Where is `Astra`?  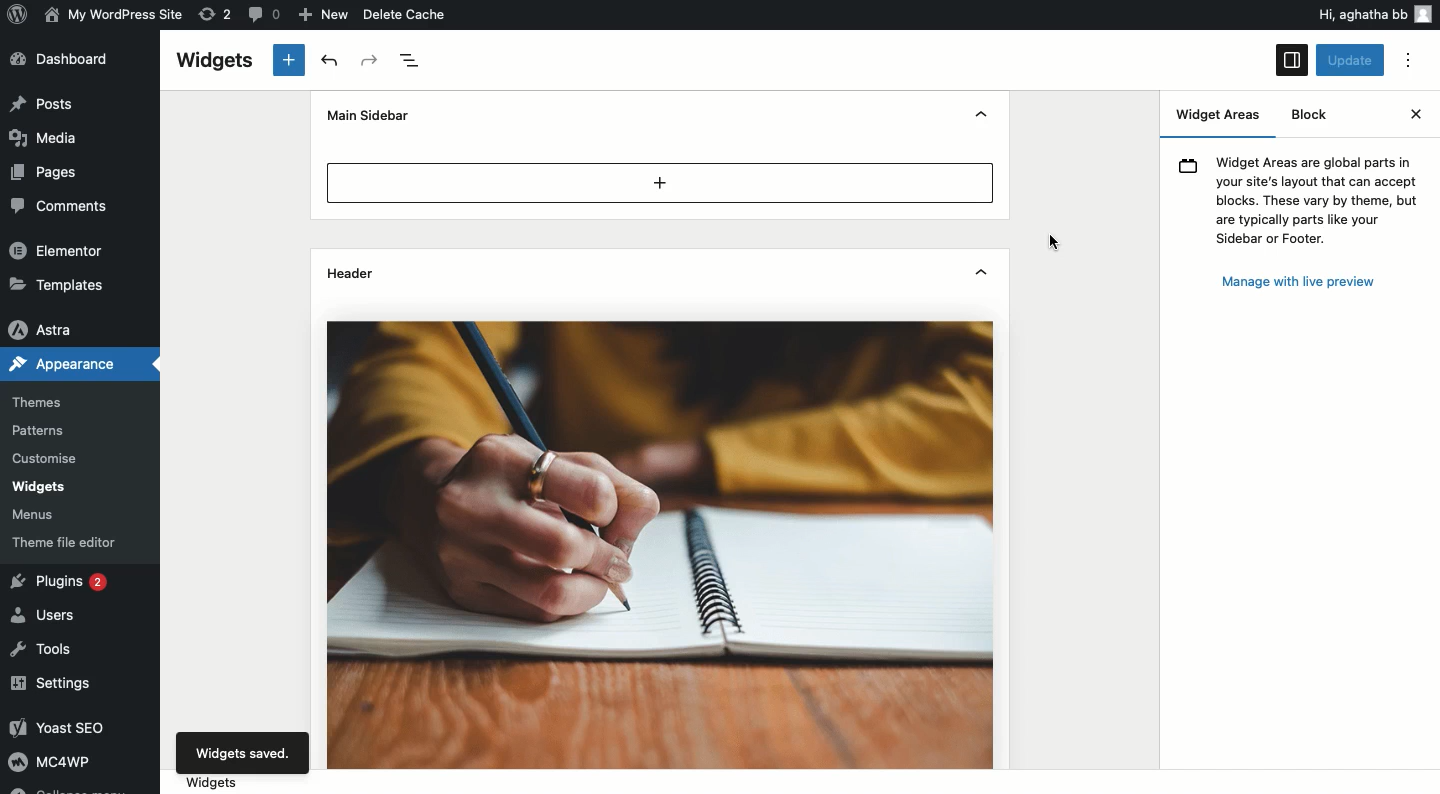 Astra is located at coordinates (44, 331).